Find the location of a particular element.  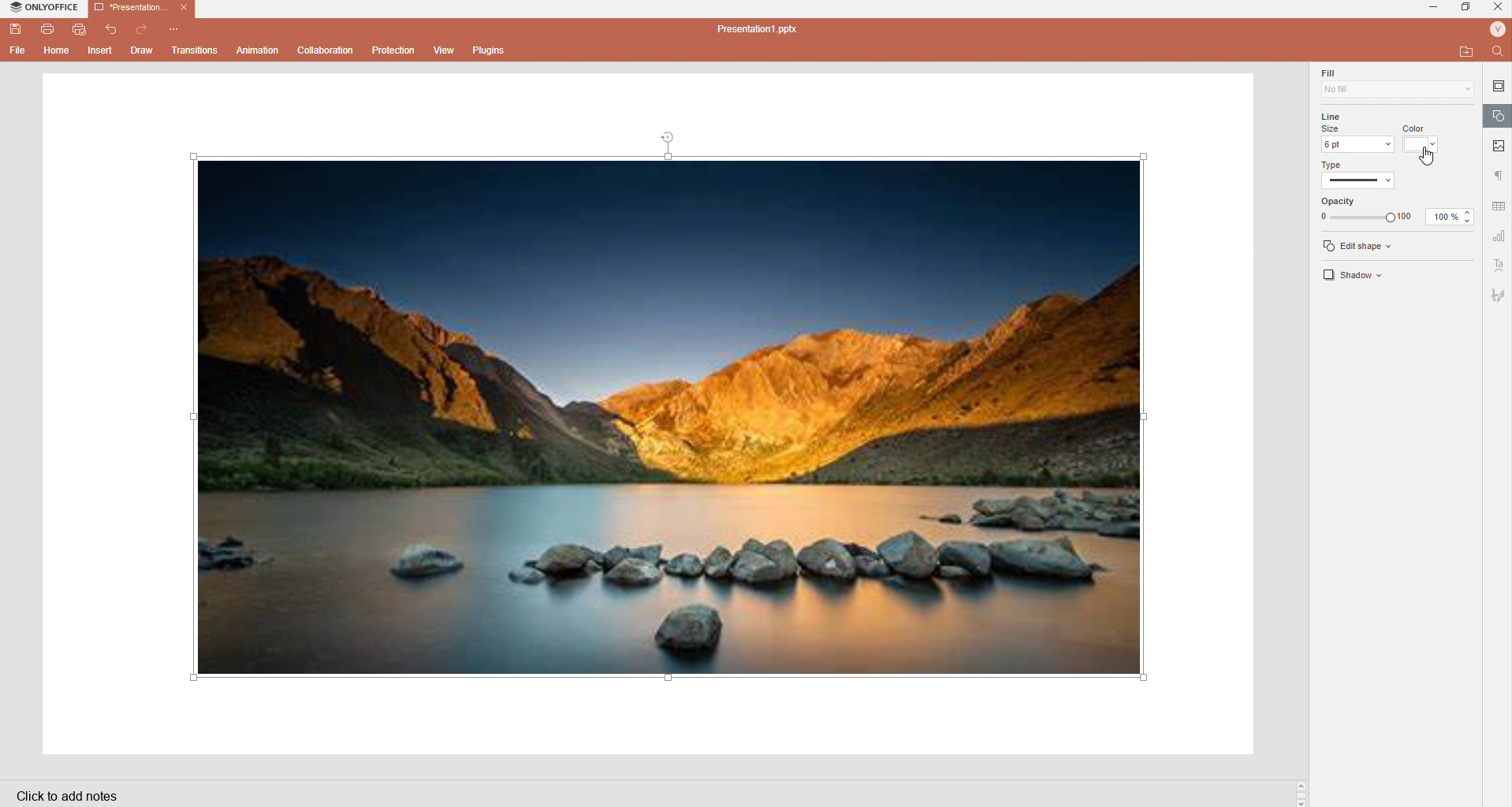

View is located at coordinates (447, 50).